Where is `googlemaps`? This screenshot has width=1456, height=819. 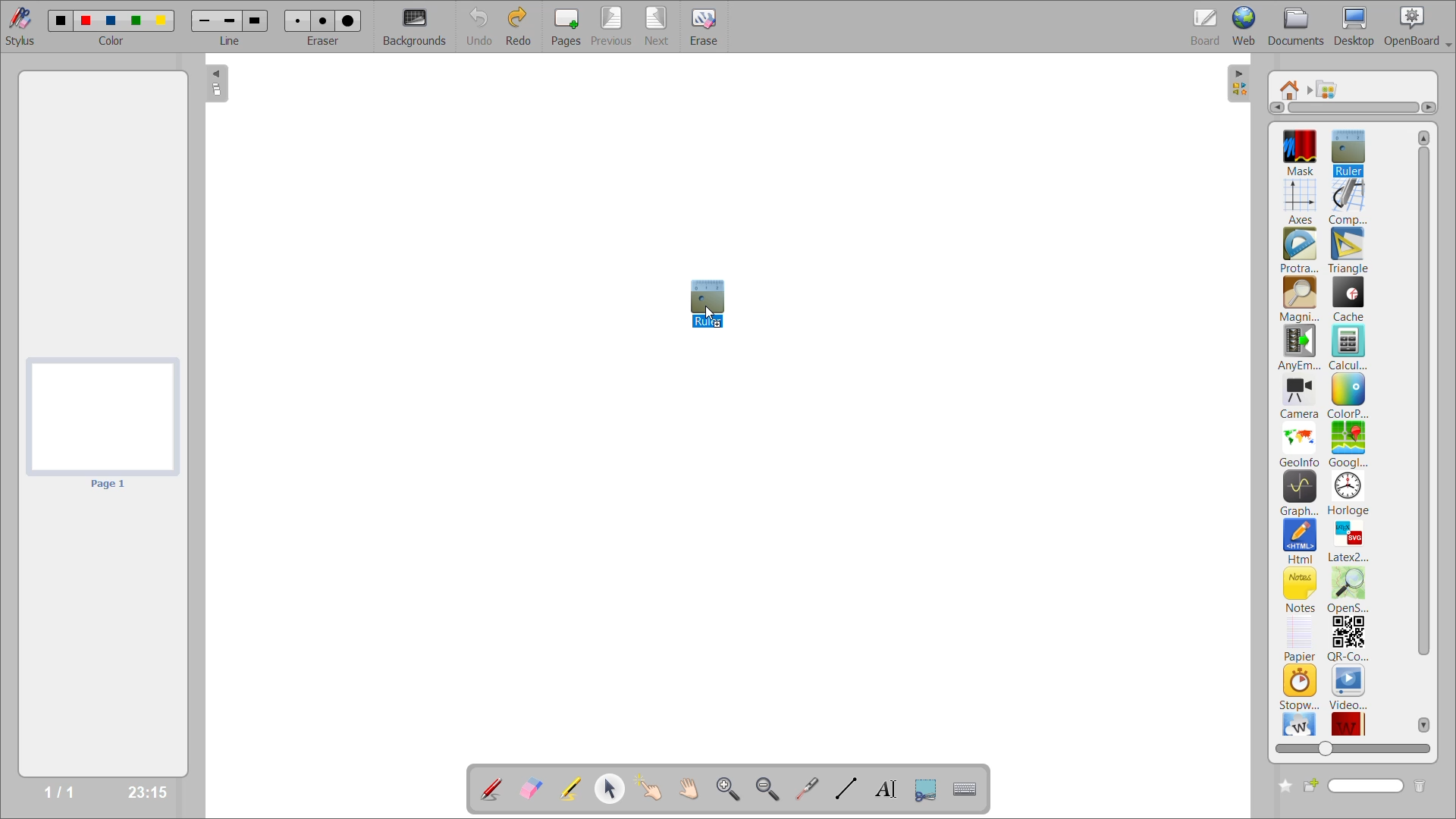 googlemaps is located at coordinates (1347, 444).